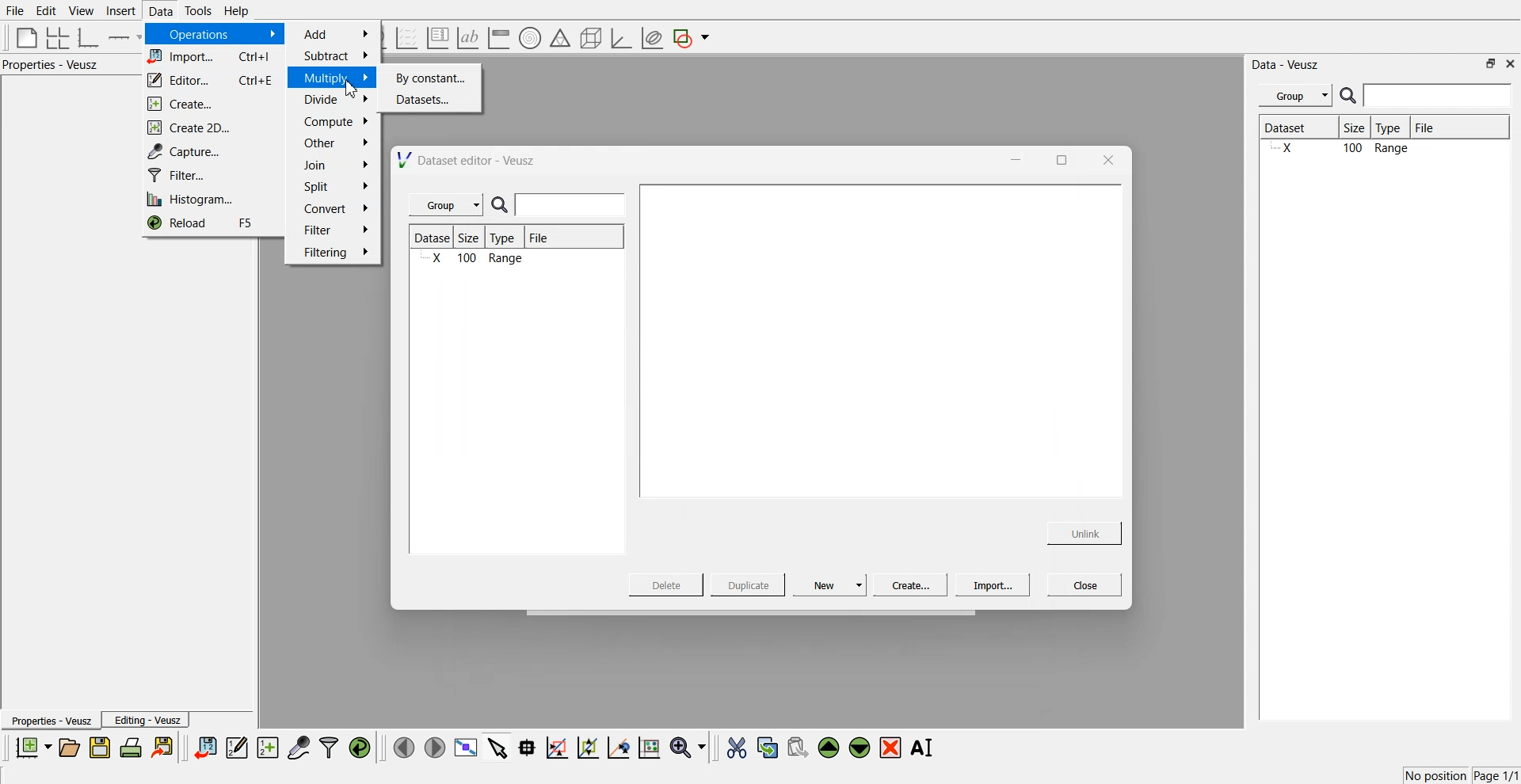 This screenshot has width=1521, height=784. Describe the element at coordinates (618, 747) in the screenshot. I see `recenter the graph axes` at that location.